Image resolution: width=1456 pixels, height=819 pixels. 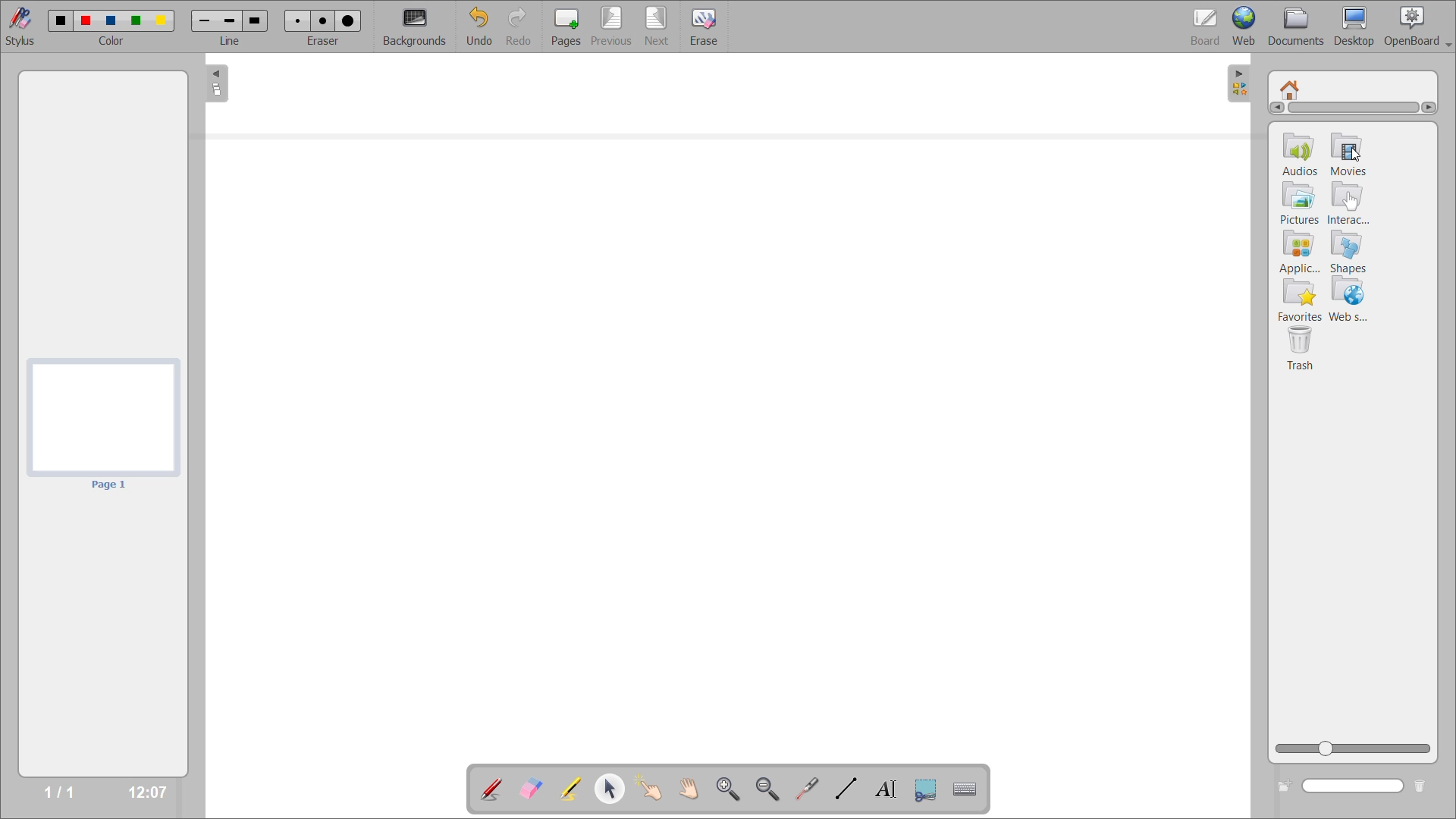 What do you see at coordinates (1432, 107) in the screenshot?
I see `Right arrow` at bounding box center [1432, 107].